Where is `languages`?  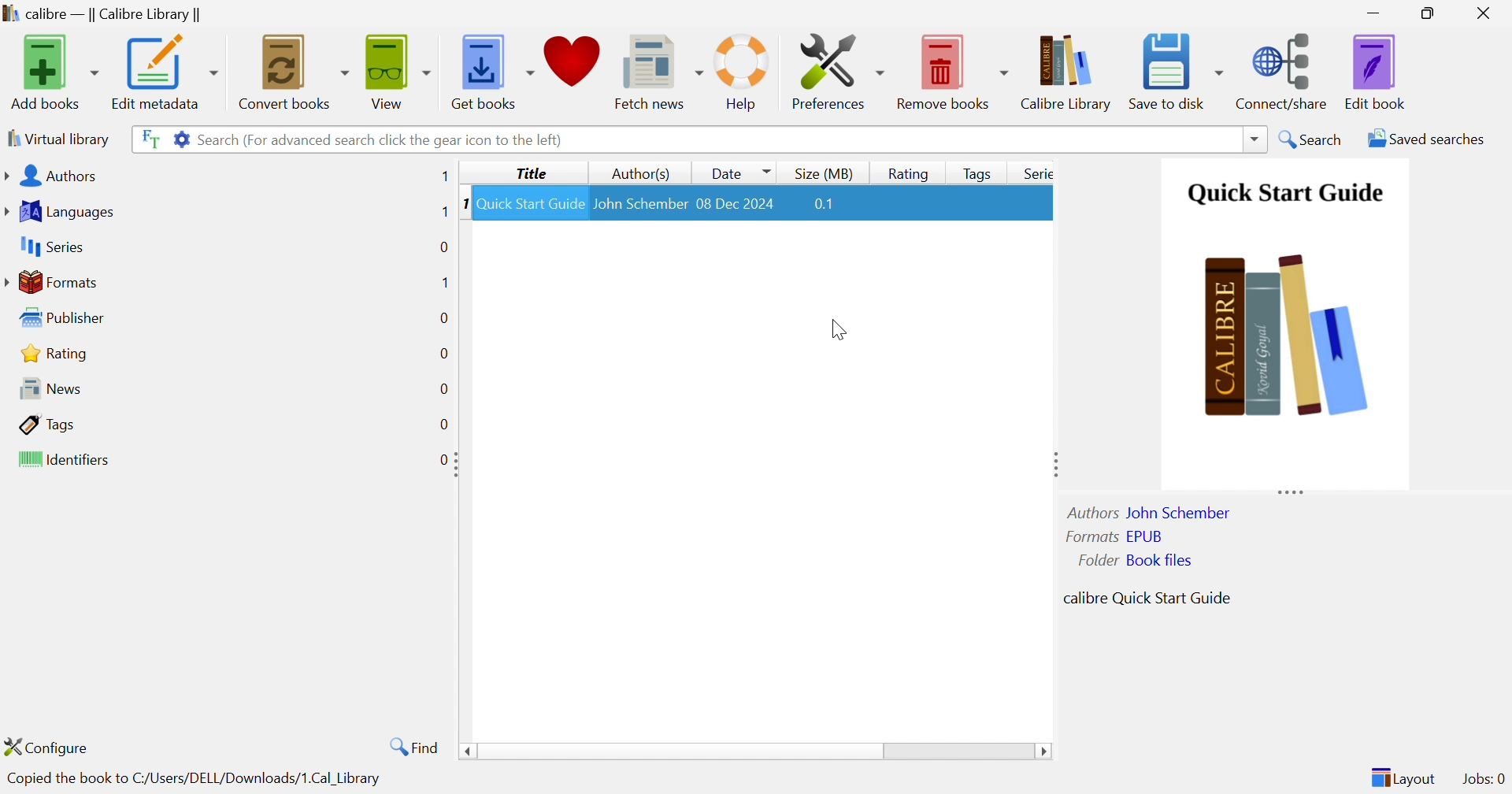
languages is located at coordinates (65, 210).